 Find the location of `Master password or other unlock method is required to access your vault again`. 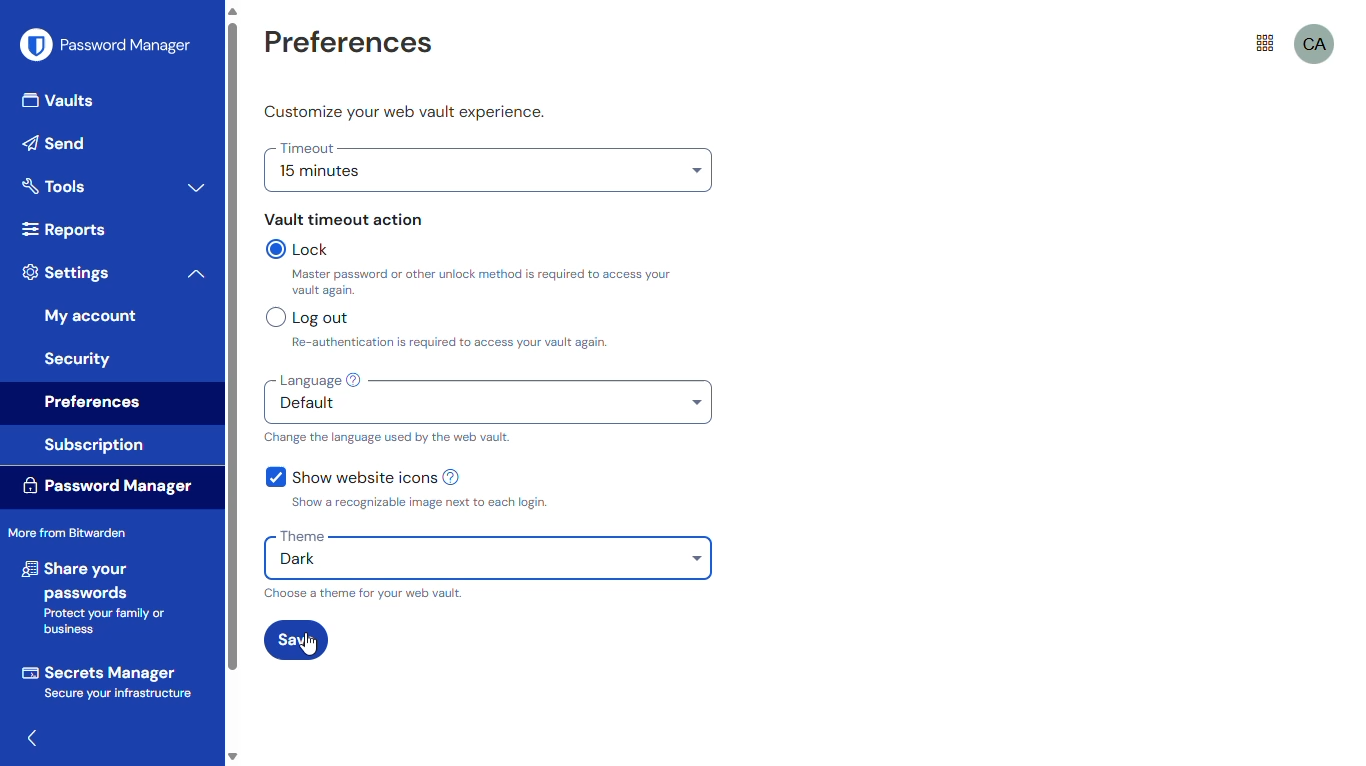

Master password or other unlock method is required to access your vault again is located at coordinates (489, 283).